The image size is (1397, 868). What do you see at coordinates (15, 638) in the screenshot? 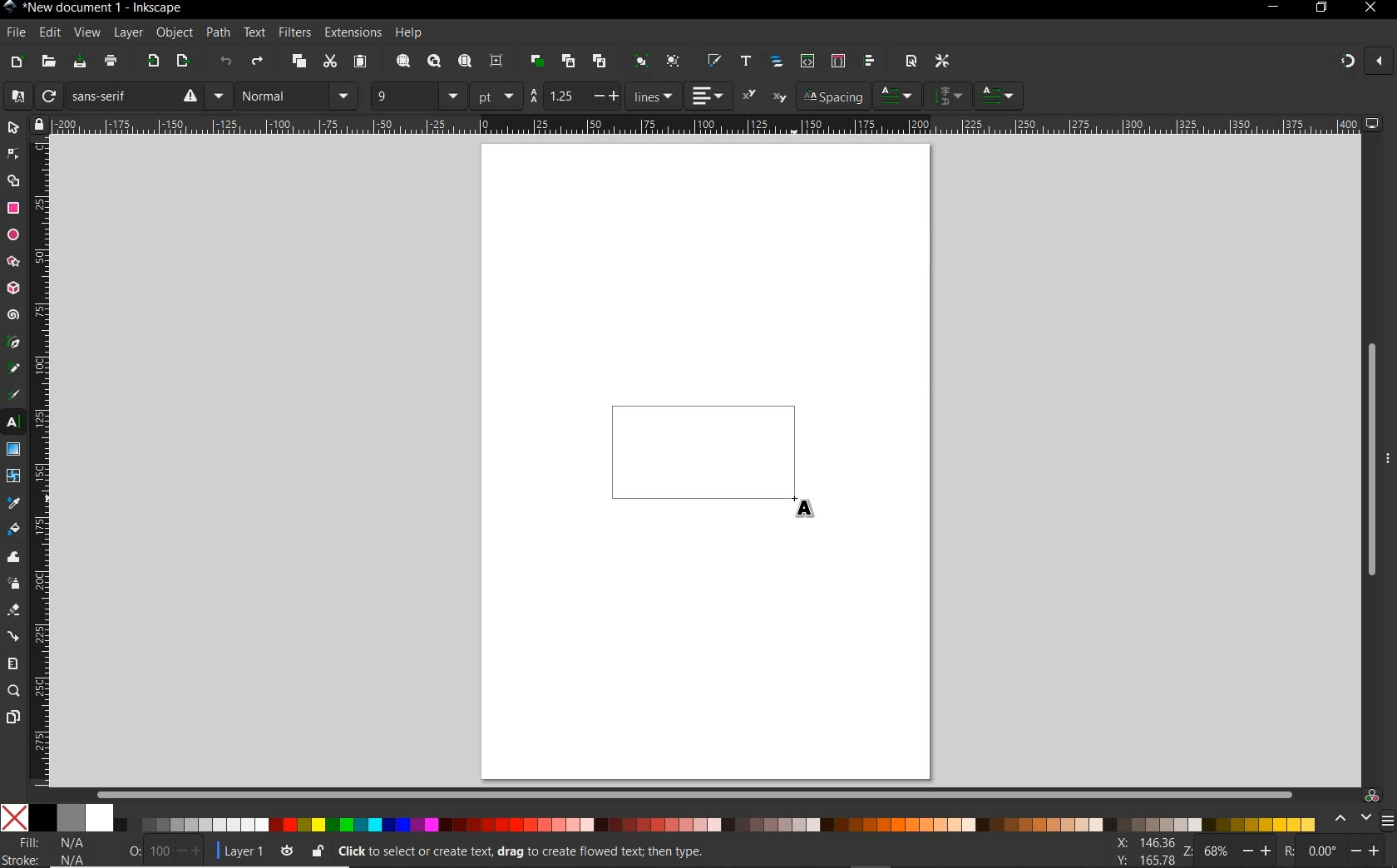
I see `connector tool` at bounding box center [15, 638].